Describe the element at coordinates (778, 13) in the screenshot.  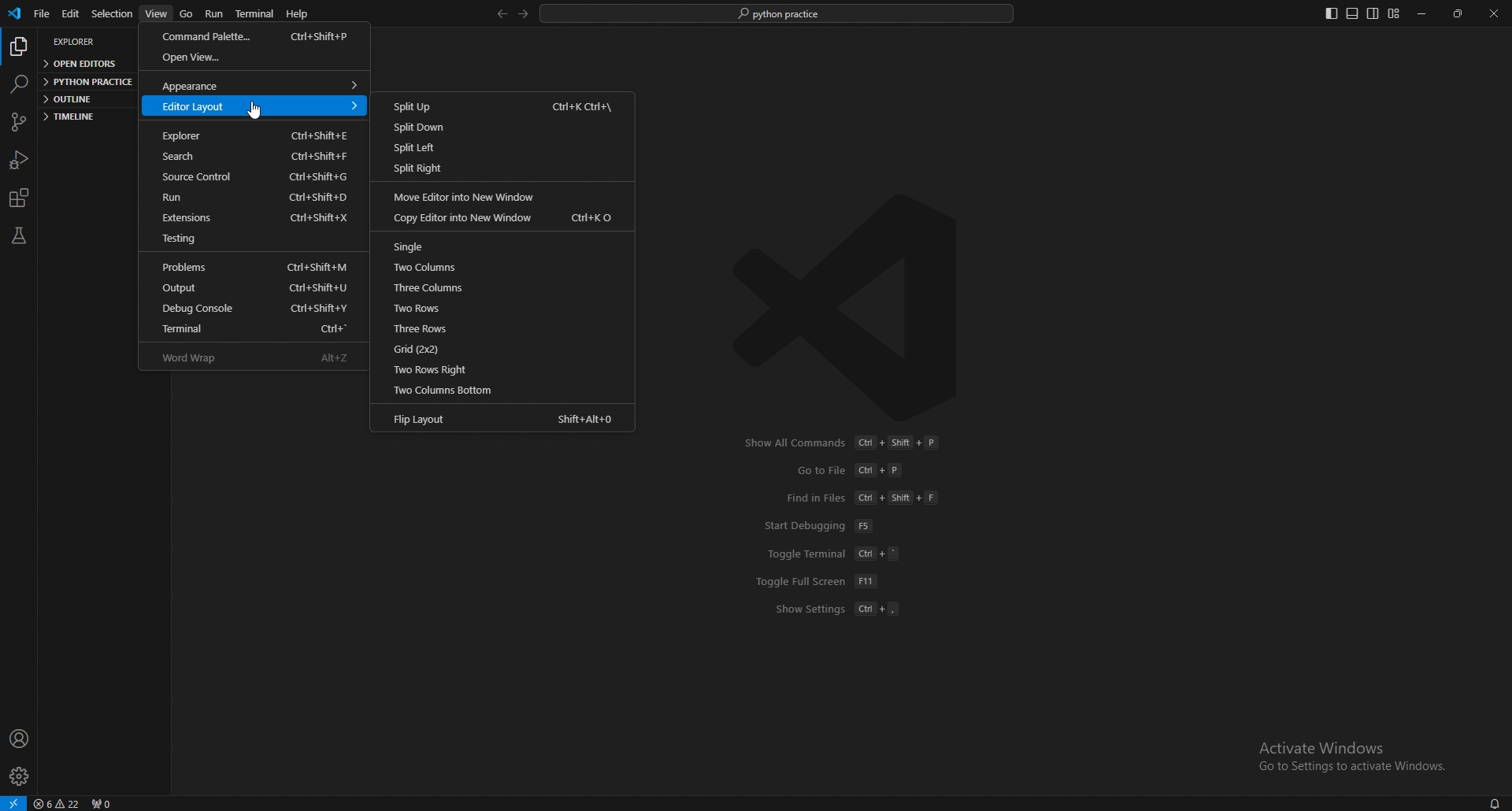
I see `search bar` at that location.